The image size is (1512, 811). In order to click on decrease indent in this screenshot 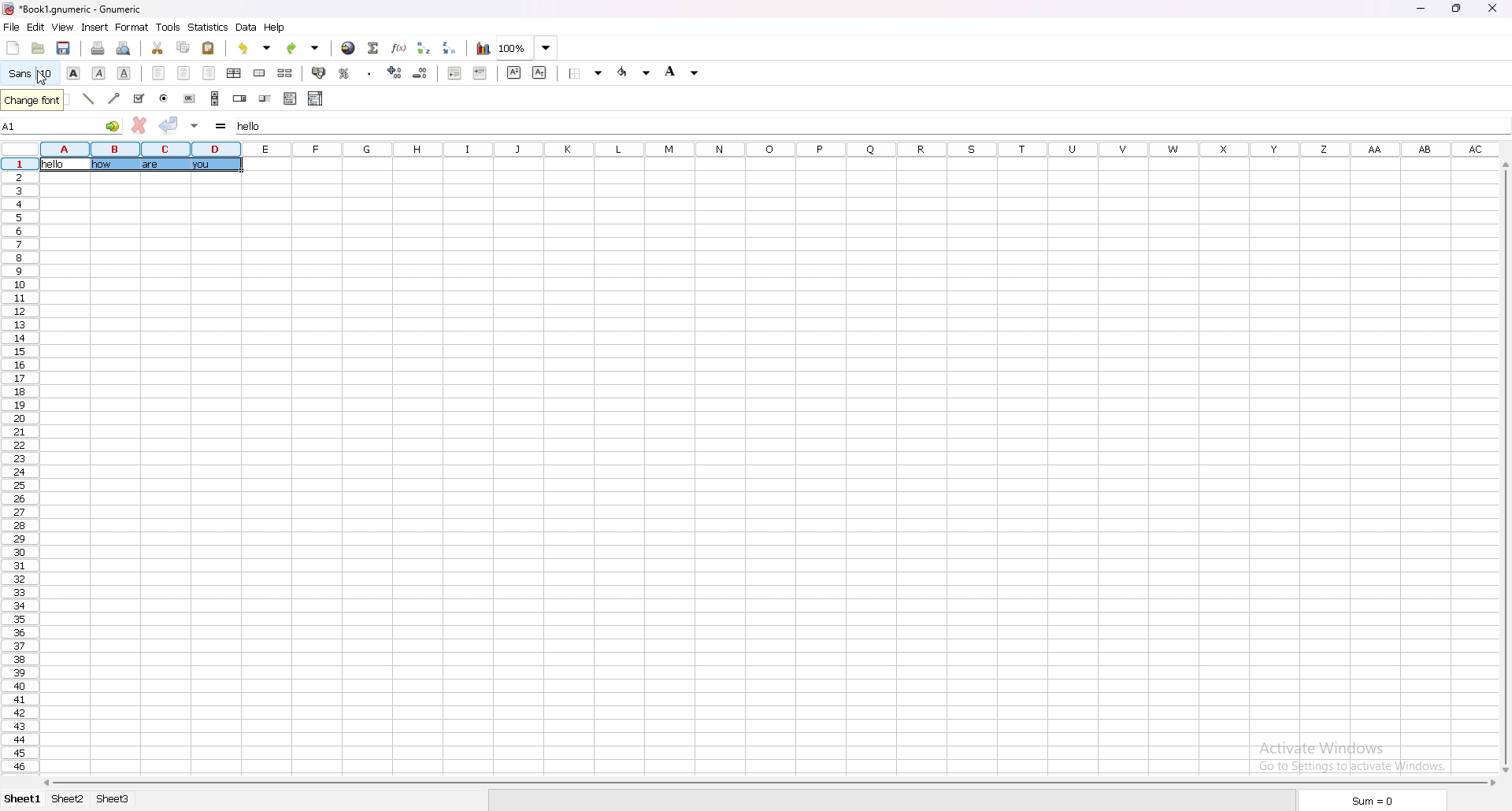, I will do `click(455, 73)`.